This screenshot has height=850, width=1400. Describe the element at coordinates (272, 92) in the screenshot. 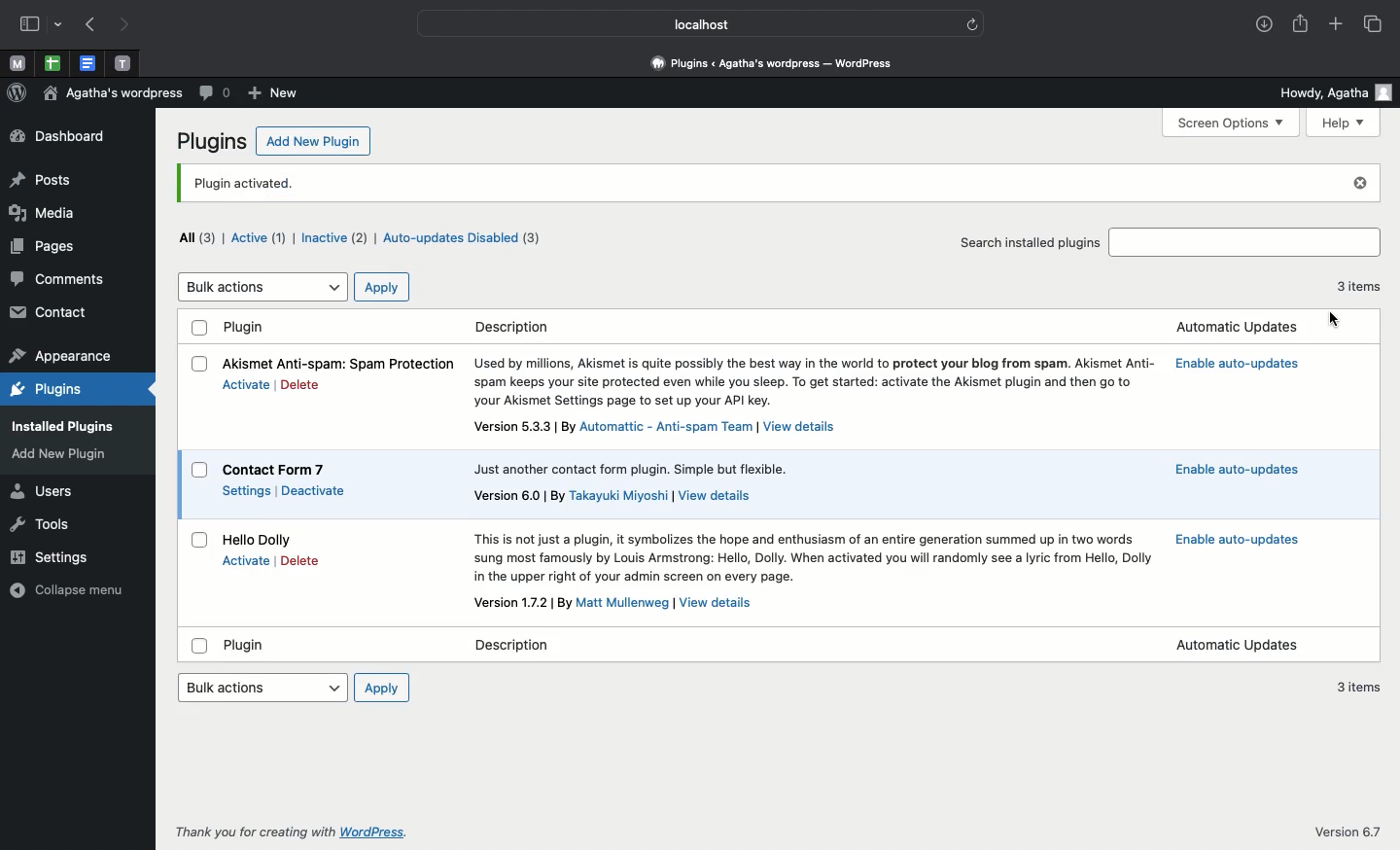

I see `New` at that location.